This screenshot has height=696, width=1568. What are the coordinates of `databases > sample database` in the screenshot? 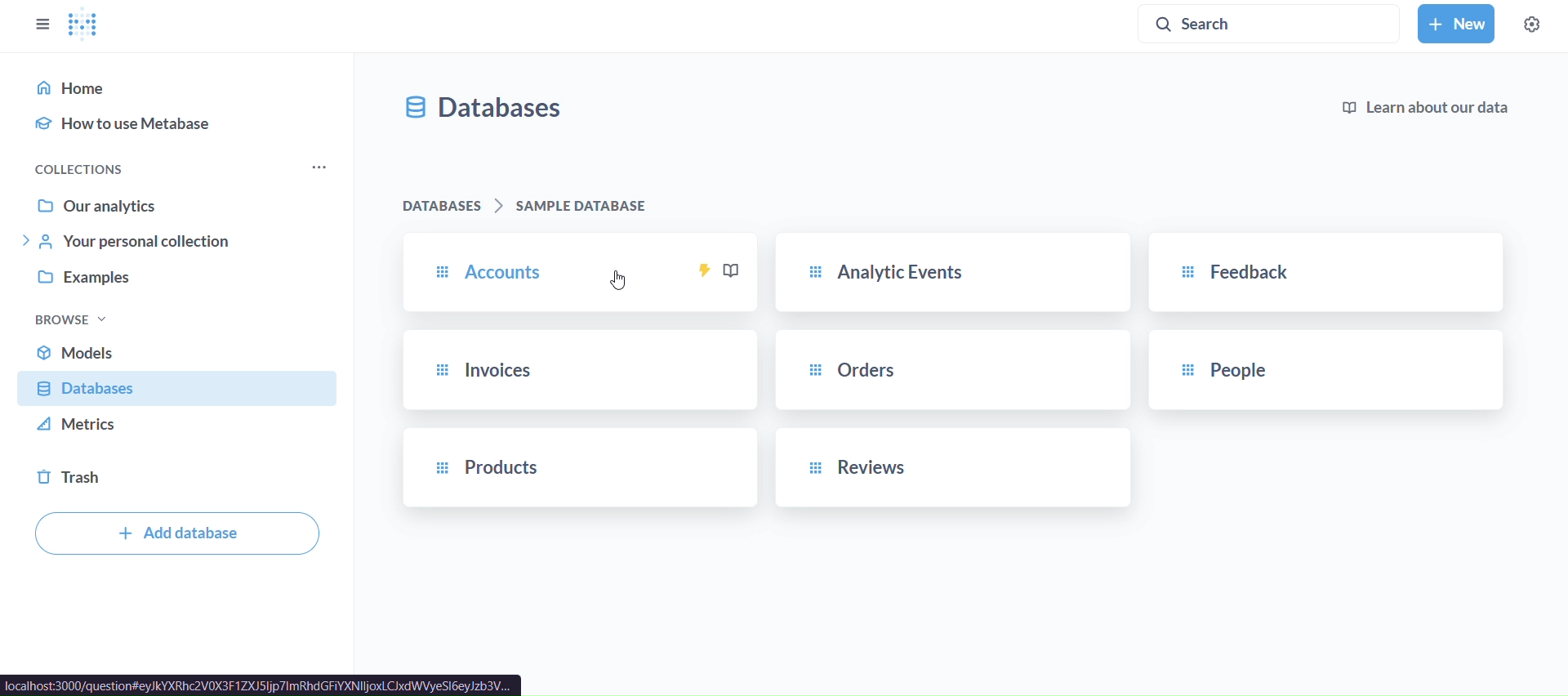 It's located at (521, 206).